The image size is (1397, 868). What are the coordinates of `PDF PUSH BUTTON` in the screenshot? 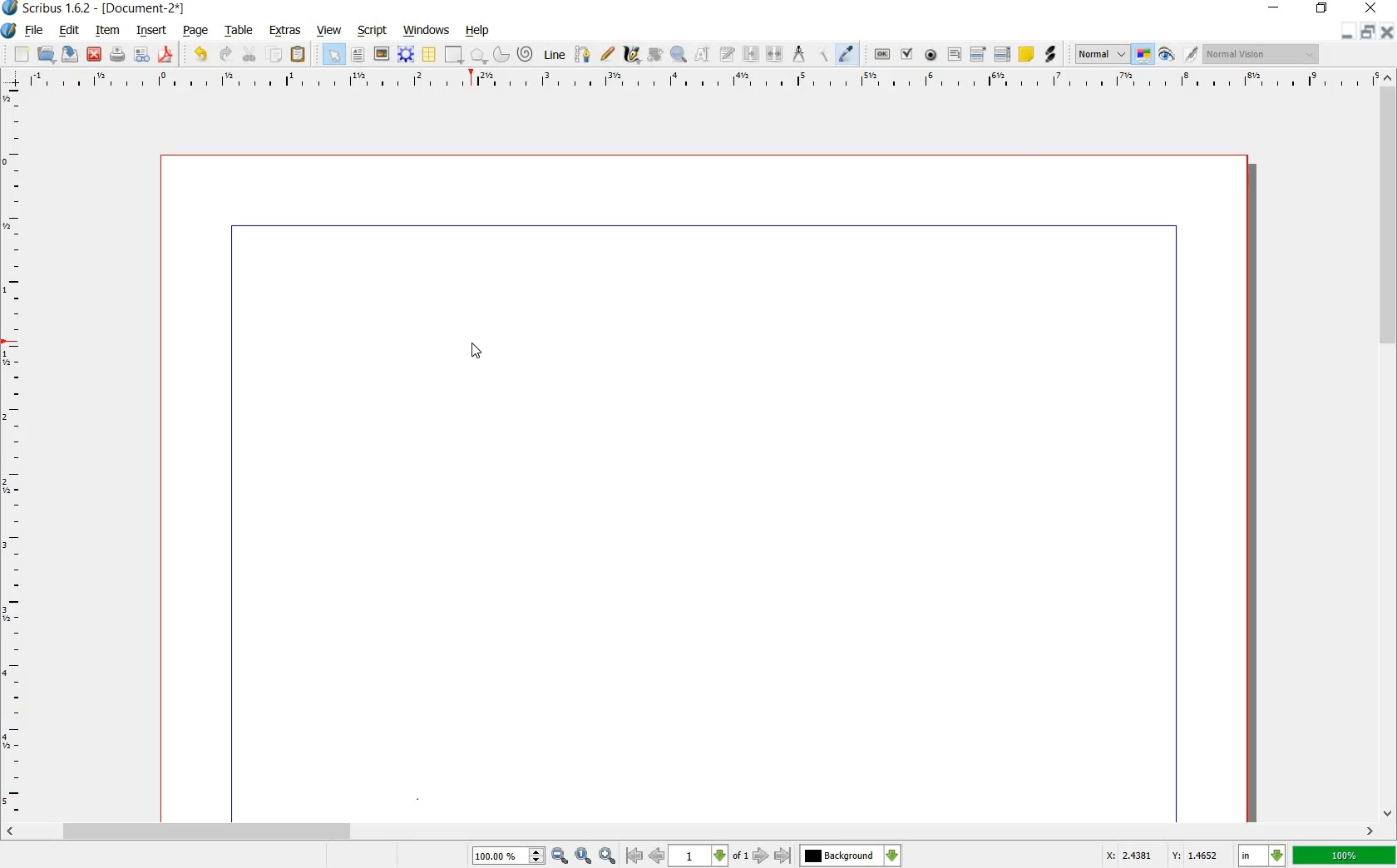 It's located at (879, 54).